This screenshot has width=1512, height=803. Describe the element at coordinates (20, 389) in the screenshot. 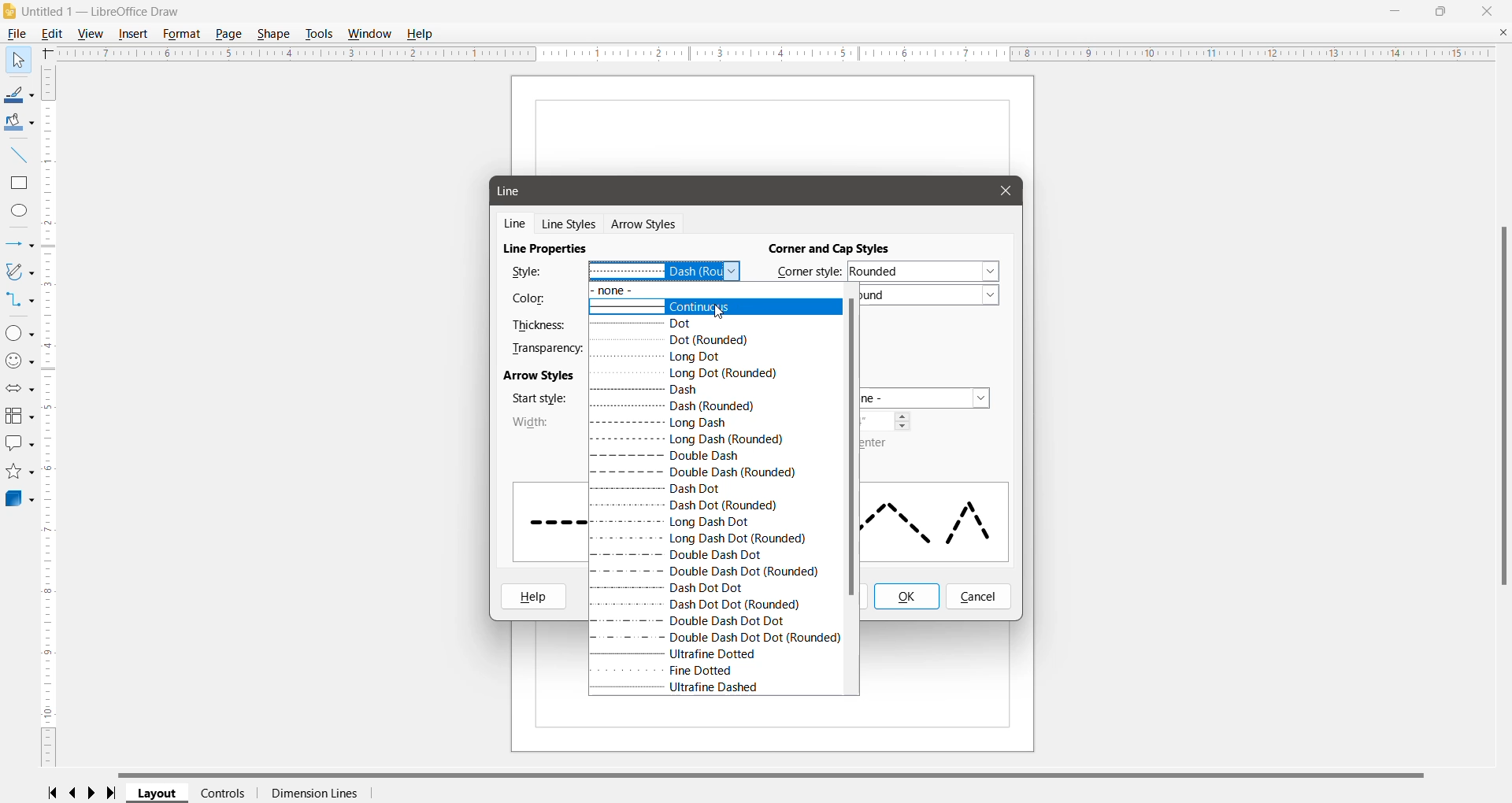

I see `Block Arrows` at that location.